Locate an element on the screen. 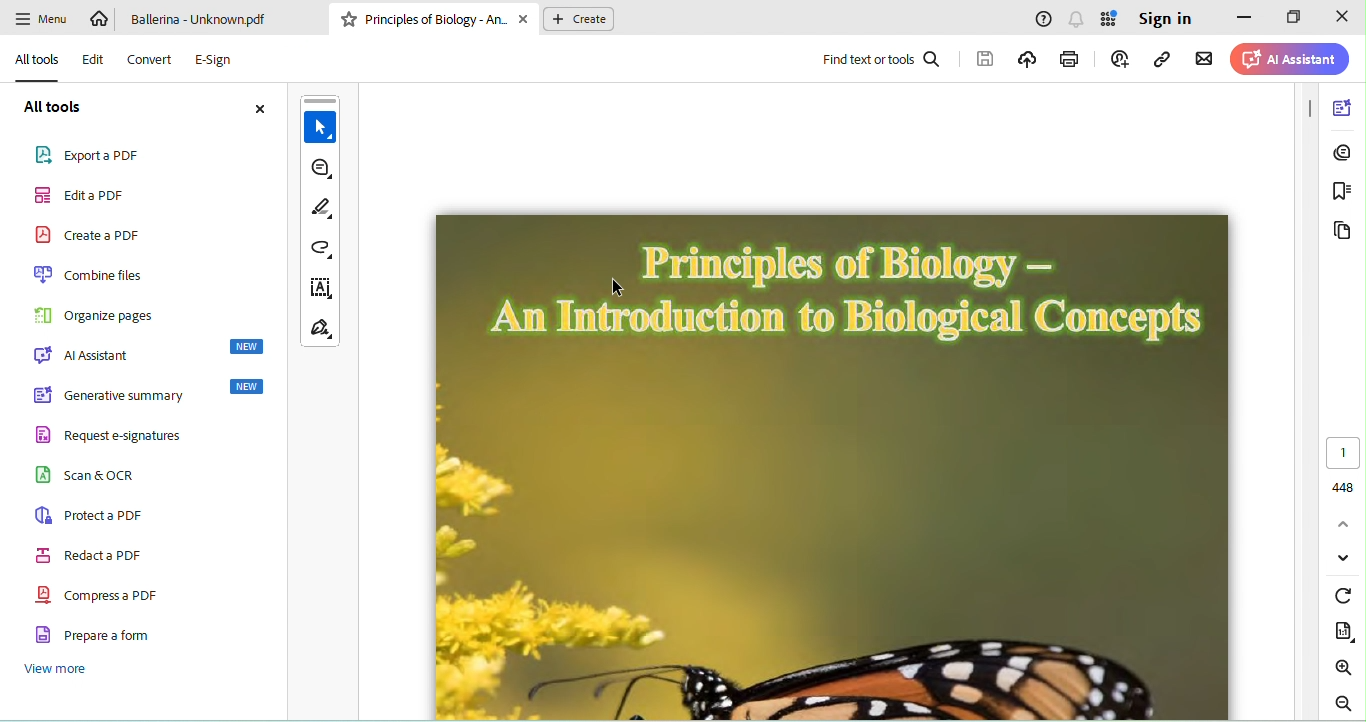  prepare a form is located at coordinates (101, 635).